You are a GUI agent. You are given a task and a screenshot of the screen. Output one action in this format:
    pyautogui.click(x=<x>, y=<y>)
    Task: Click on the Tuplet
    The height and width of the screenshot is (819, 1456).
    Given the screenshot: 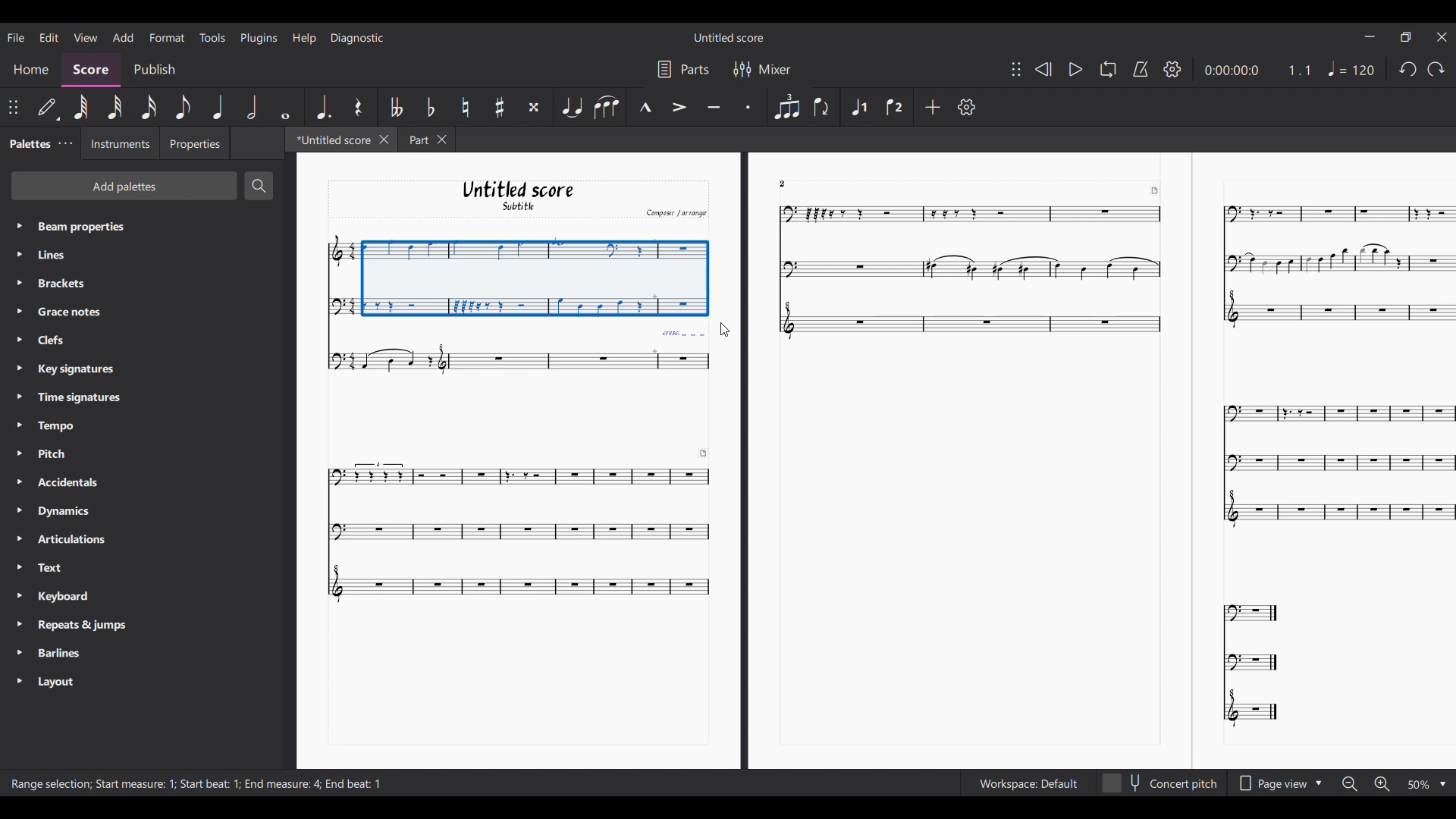 What is the action you would take?
    pyautogui.click(x=786, y=106)
    